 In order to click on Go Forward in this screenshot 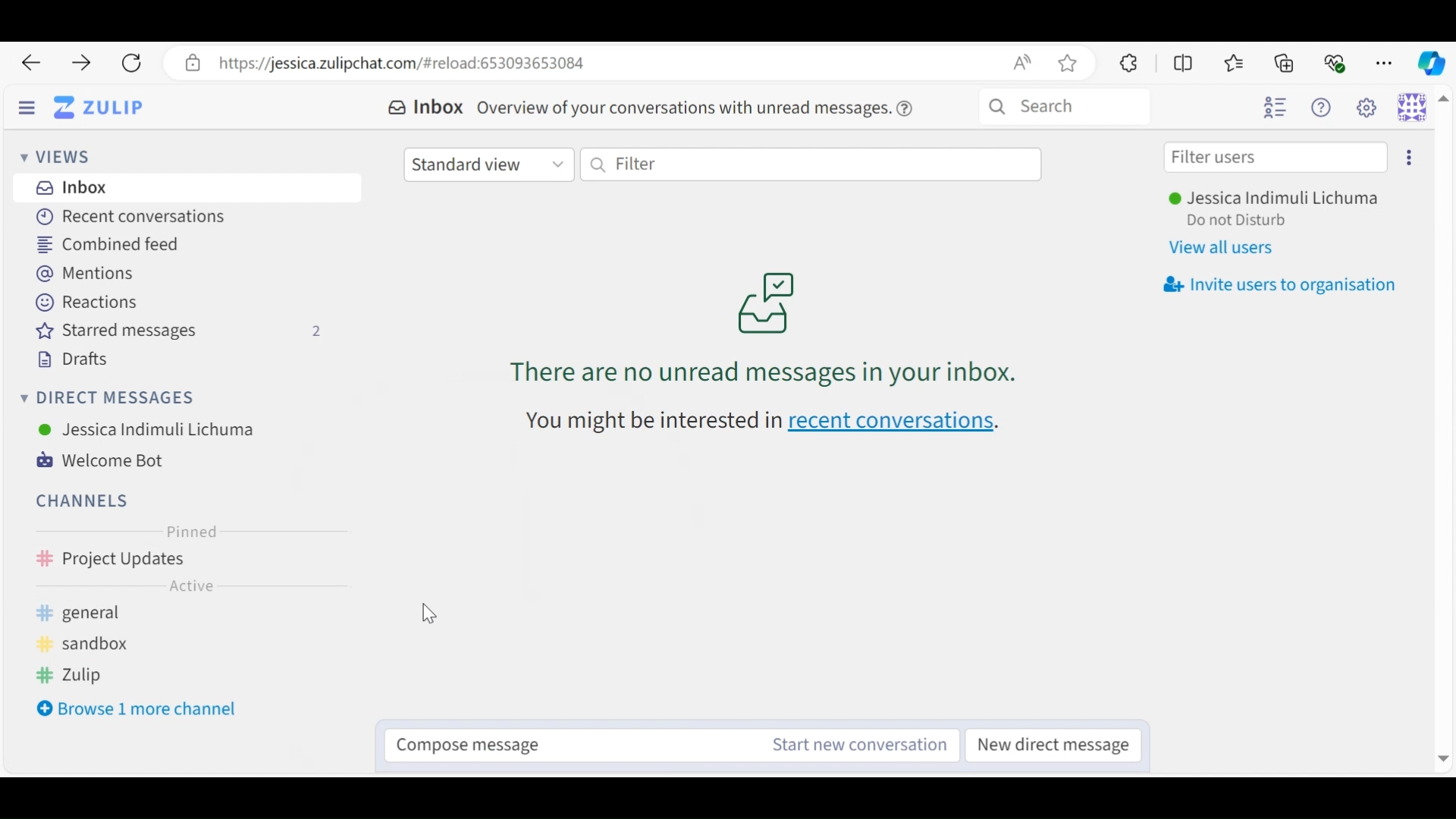, I will do `click(76, 63)`.